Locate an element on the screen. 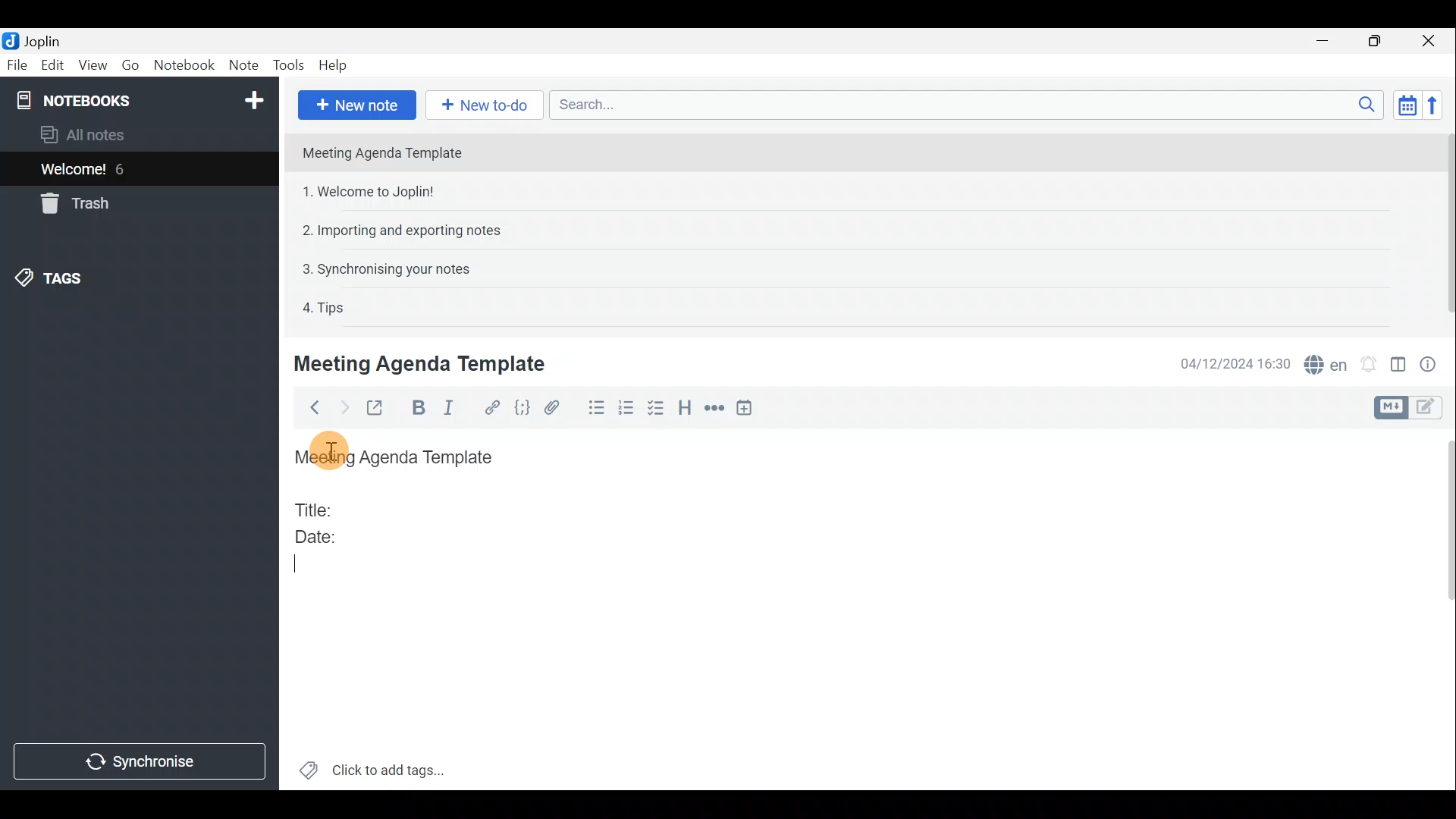 The height and width of the screenshot is (819, 1456). Notebook is located at coordinates (184, 64).